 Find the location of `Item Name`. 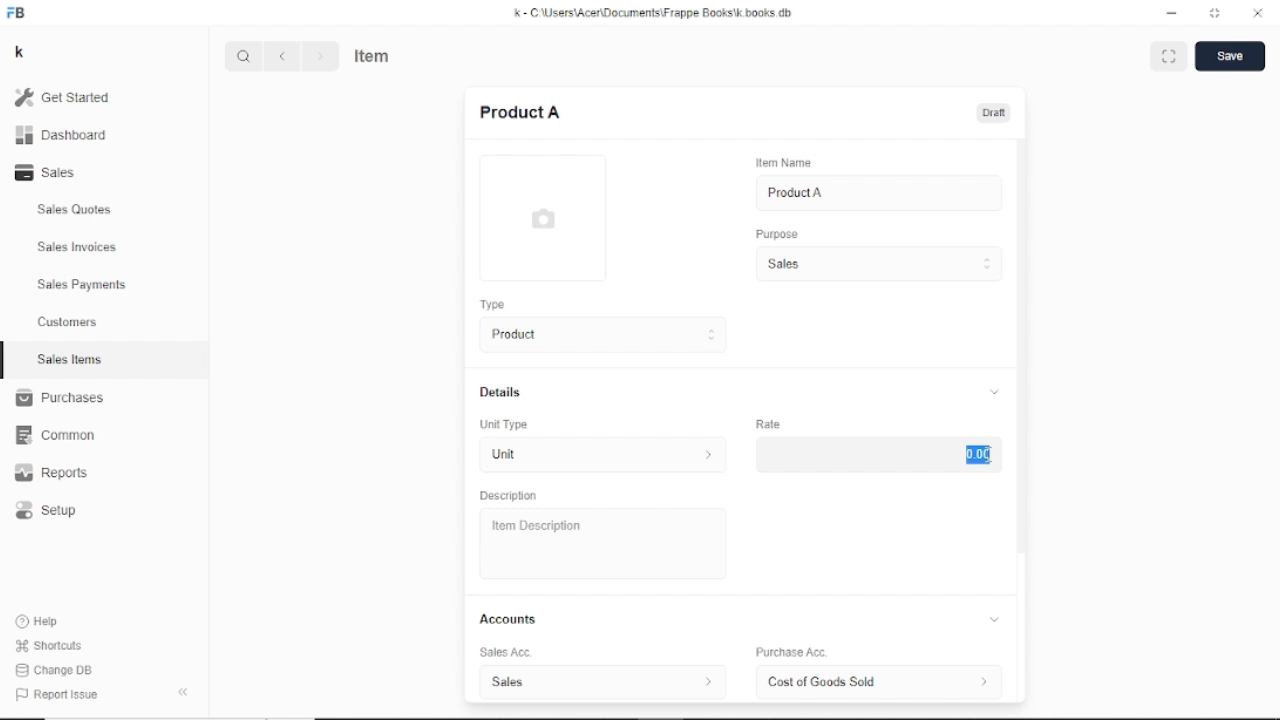

Item Name is located at coordinates (782, 163).